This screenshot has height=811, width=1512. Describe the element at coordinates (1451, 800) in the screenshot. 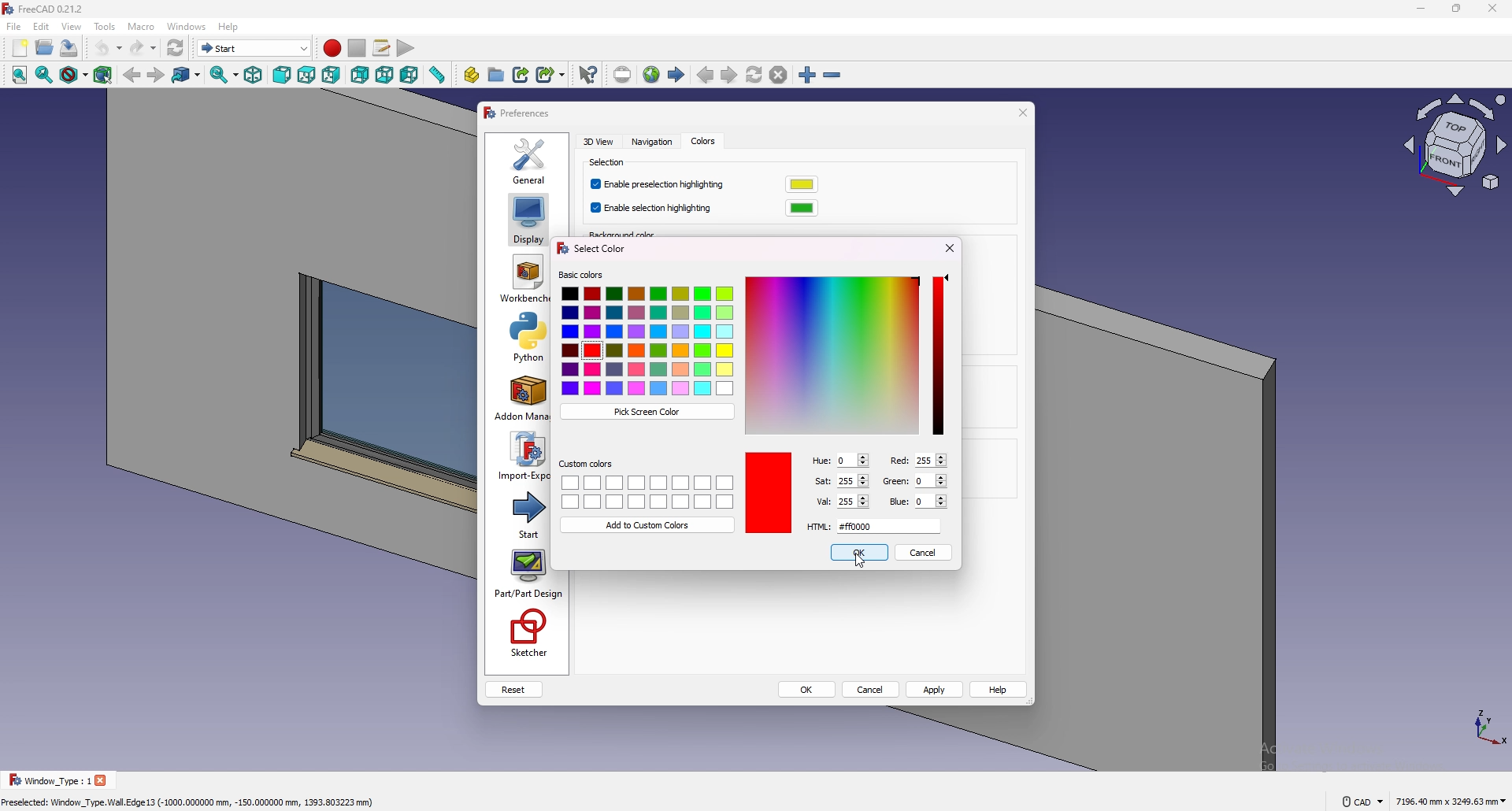

I see `7196.40 mm x 3243.63 mm ~~` at that location.